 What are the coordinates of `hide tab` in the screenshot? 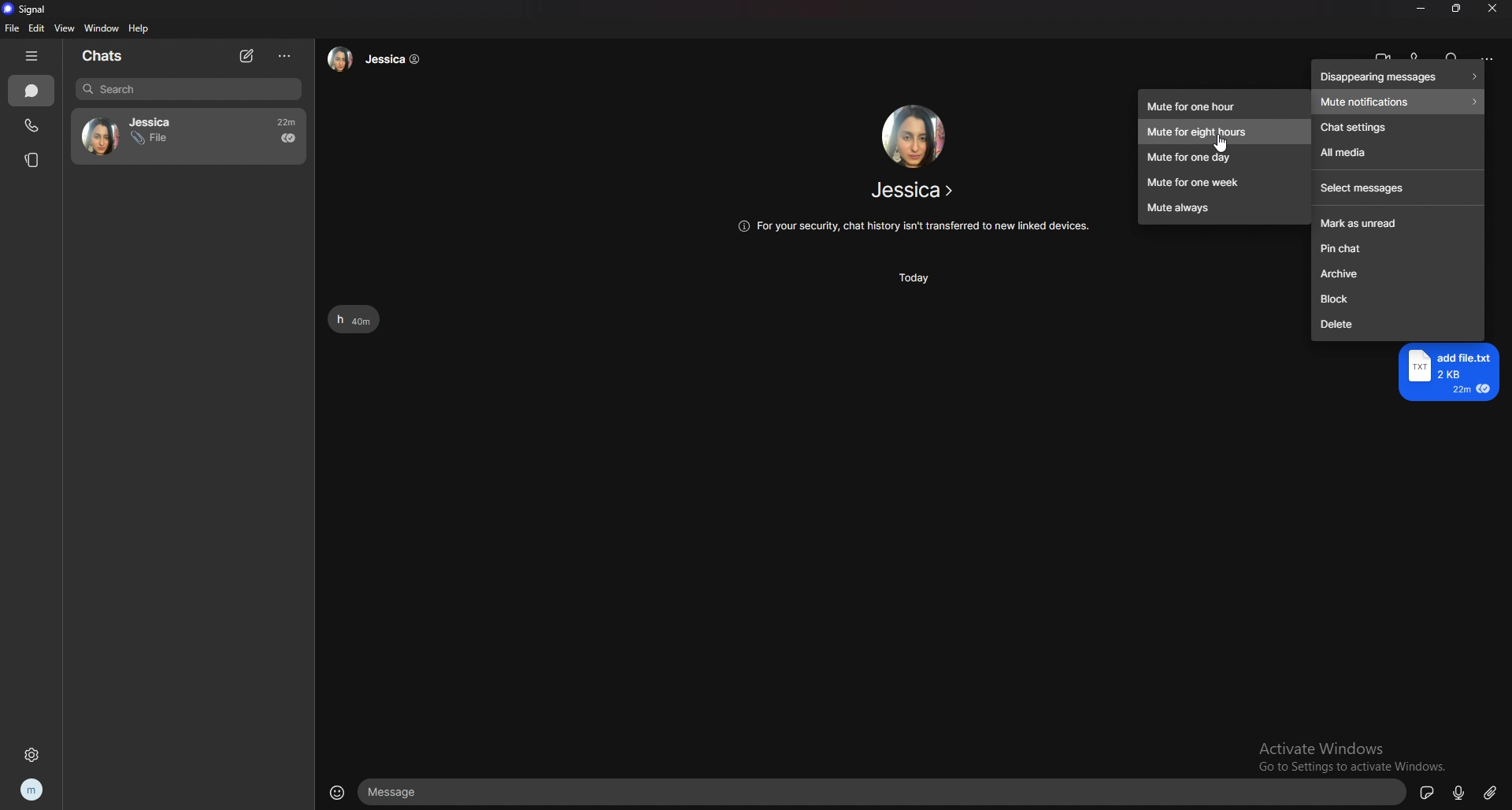 It's located at (34, 57).